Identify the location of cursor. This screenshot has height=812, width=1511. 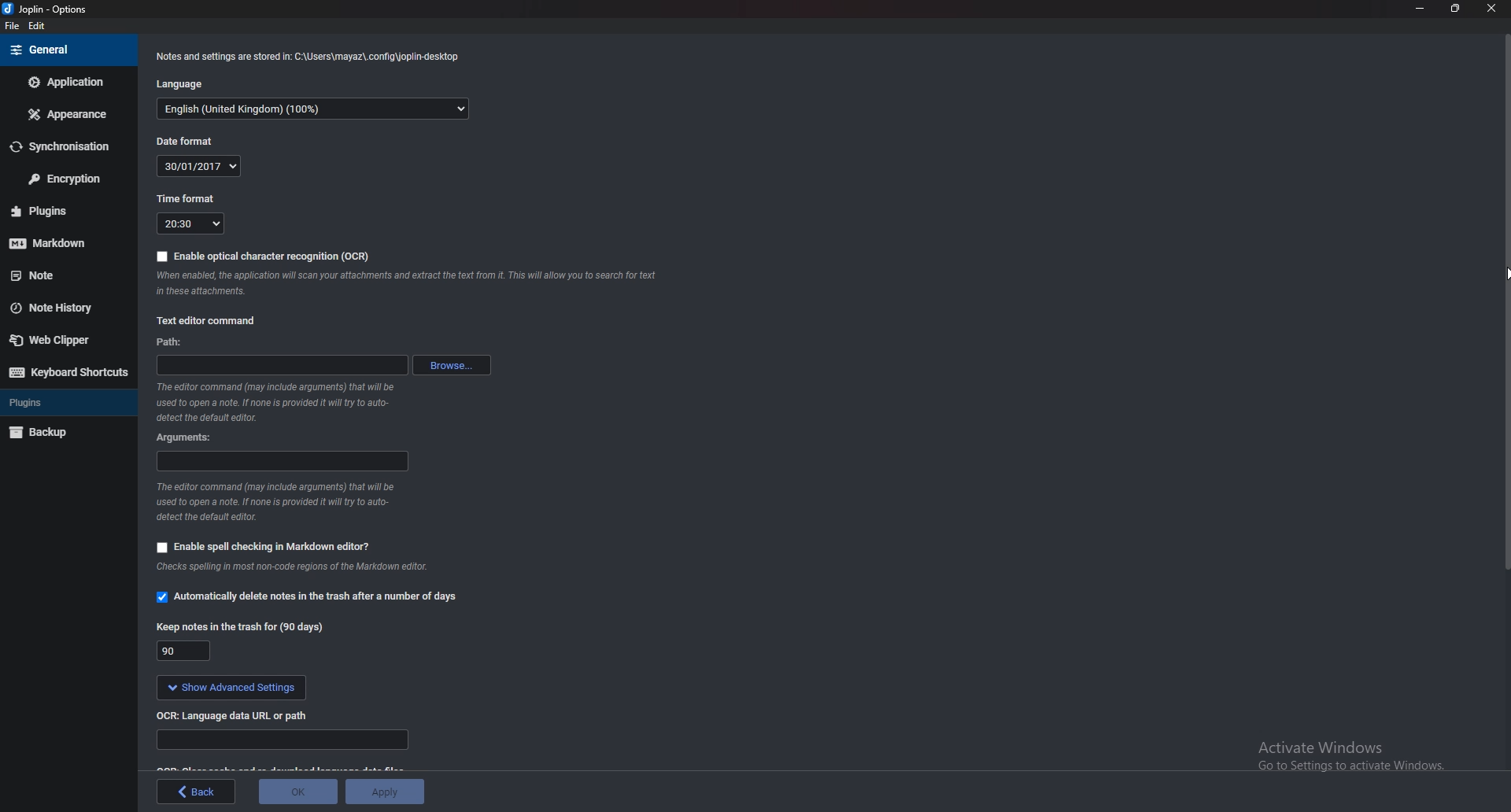
(1487, 271).